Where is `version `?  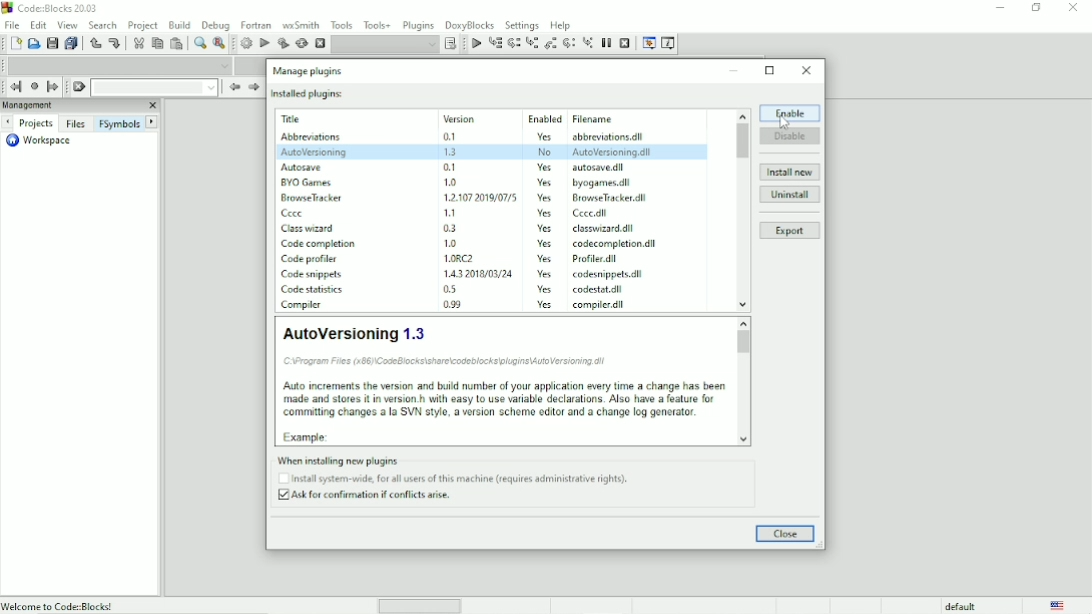 version  is located at coordinates (450, 182).